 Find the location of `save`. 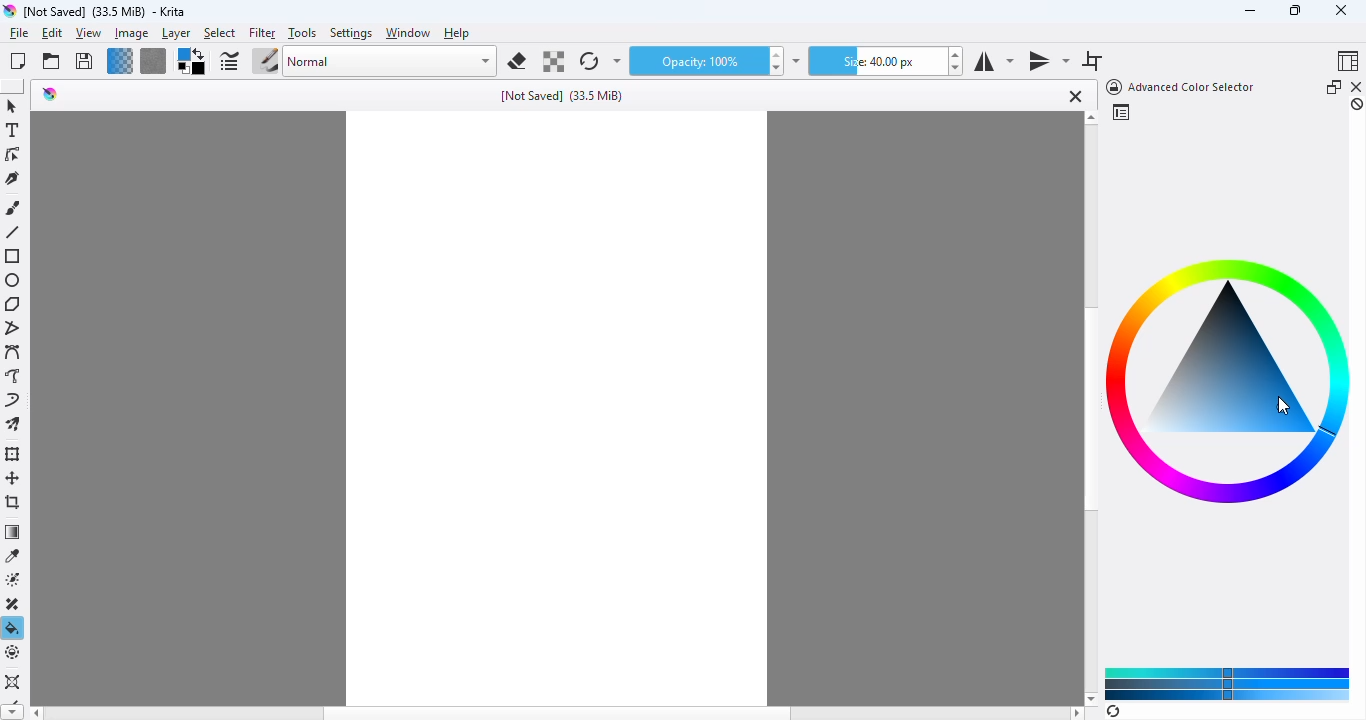

save is located at coordinates (84, 60).